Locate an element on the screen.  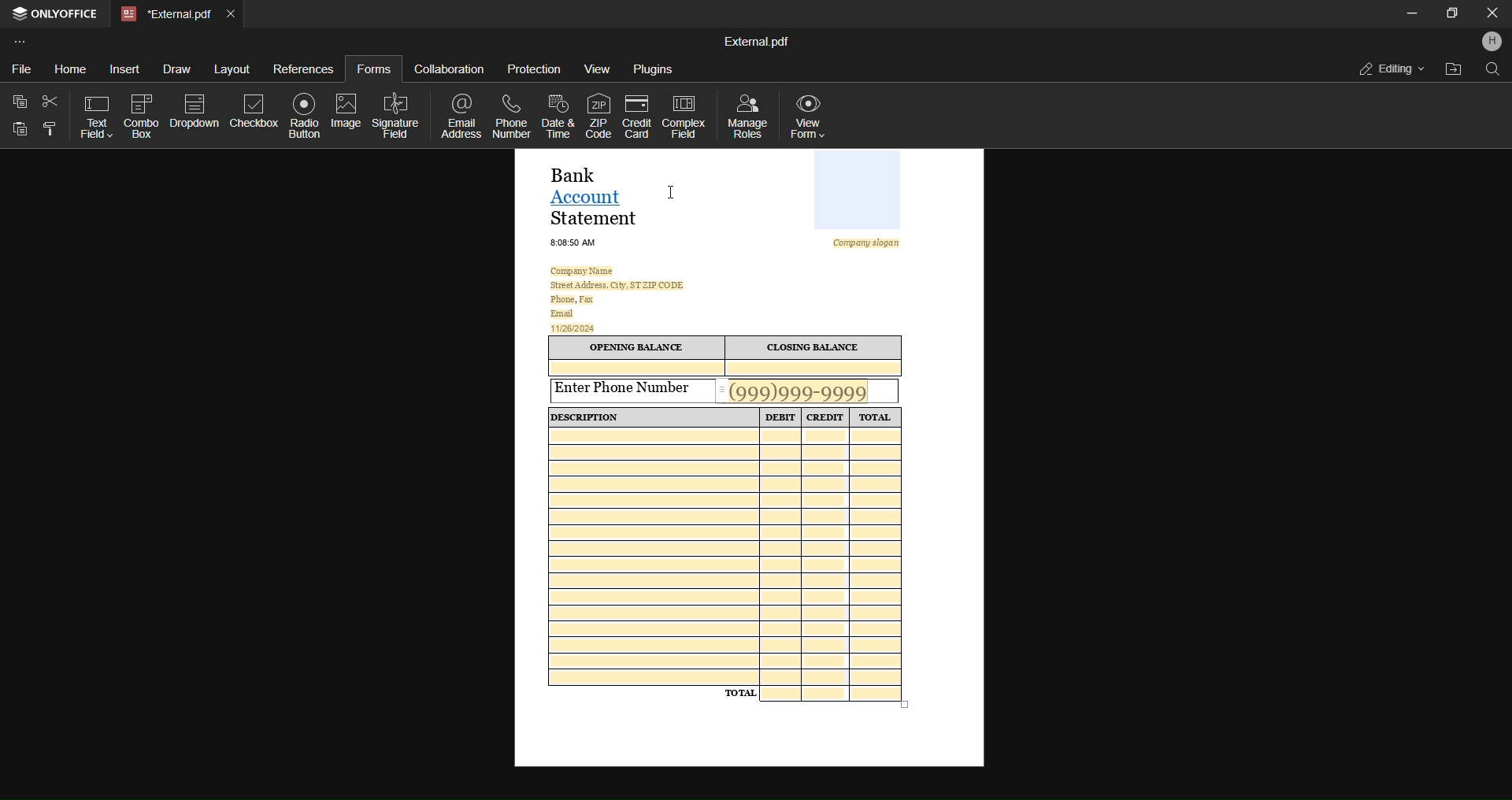
dropdown is located at coordinates (193, 109).